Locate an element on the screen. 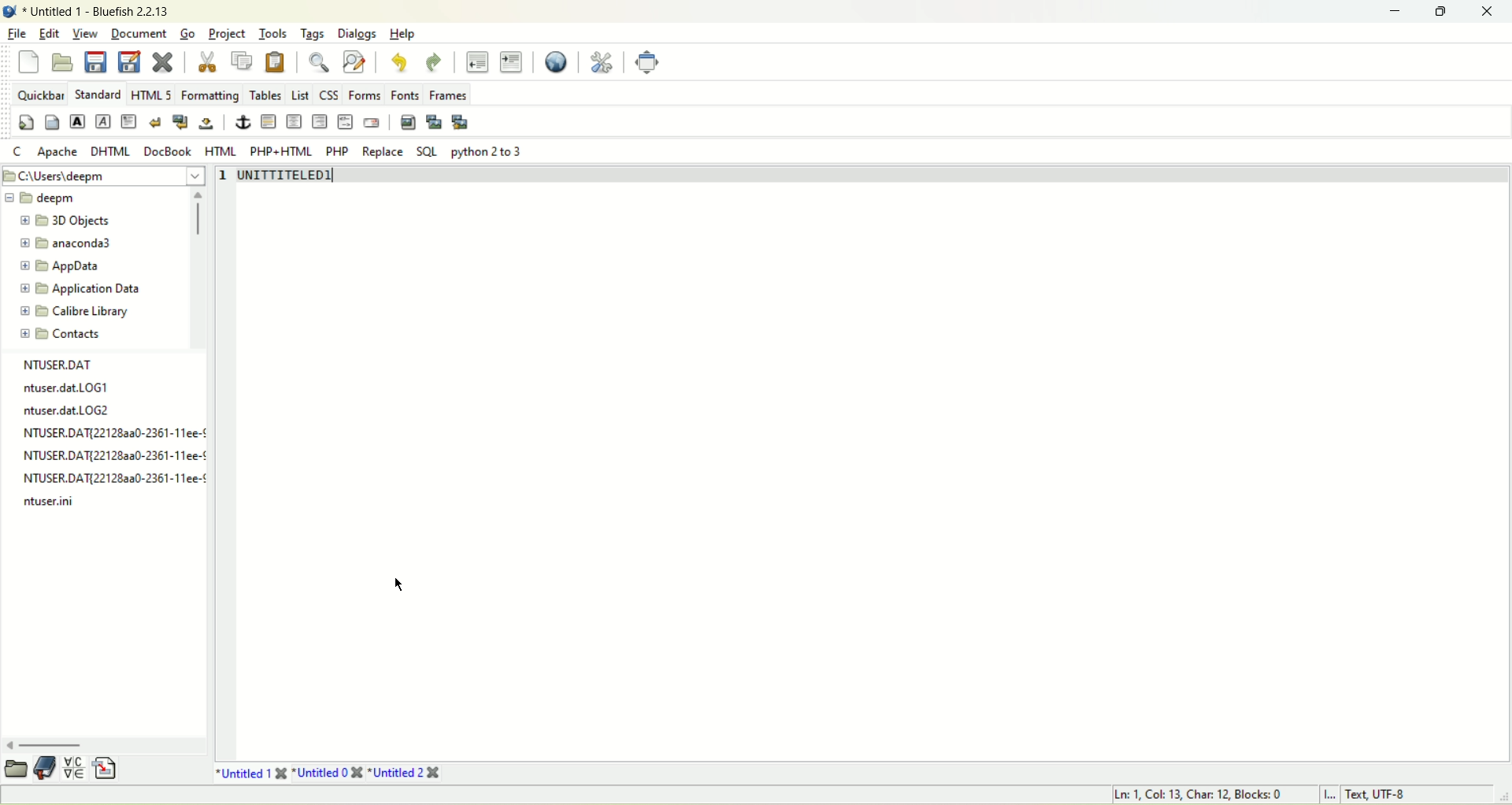  ntuser. dat LOG is located at coordinates (65, 388).